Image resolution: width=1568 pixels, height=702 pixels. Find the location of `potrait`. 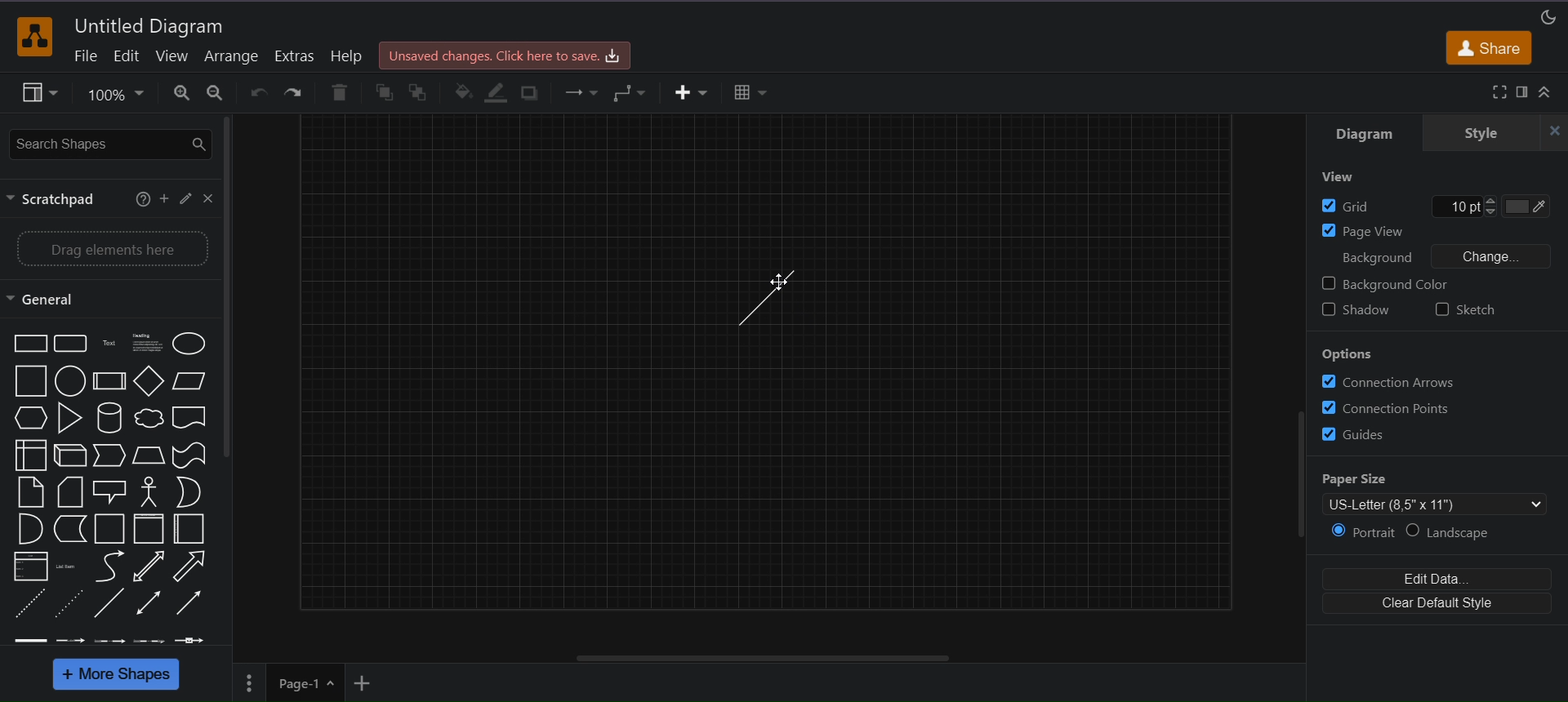

potrait is located at coordinates (1360, 533).